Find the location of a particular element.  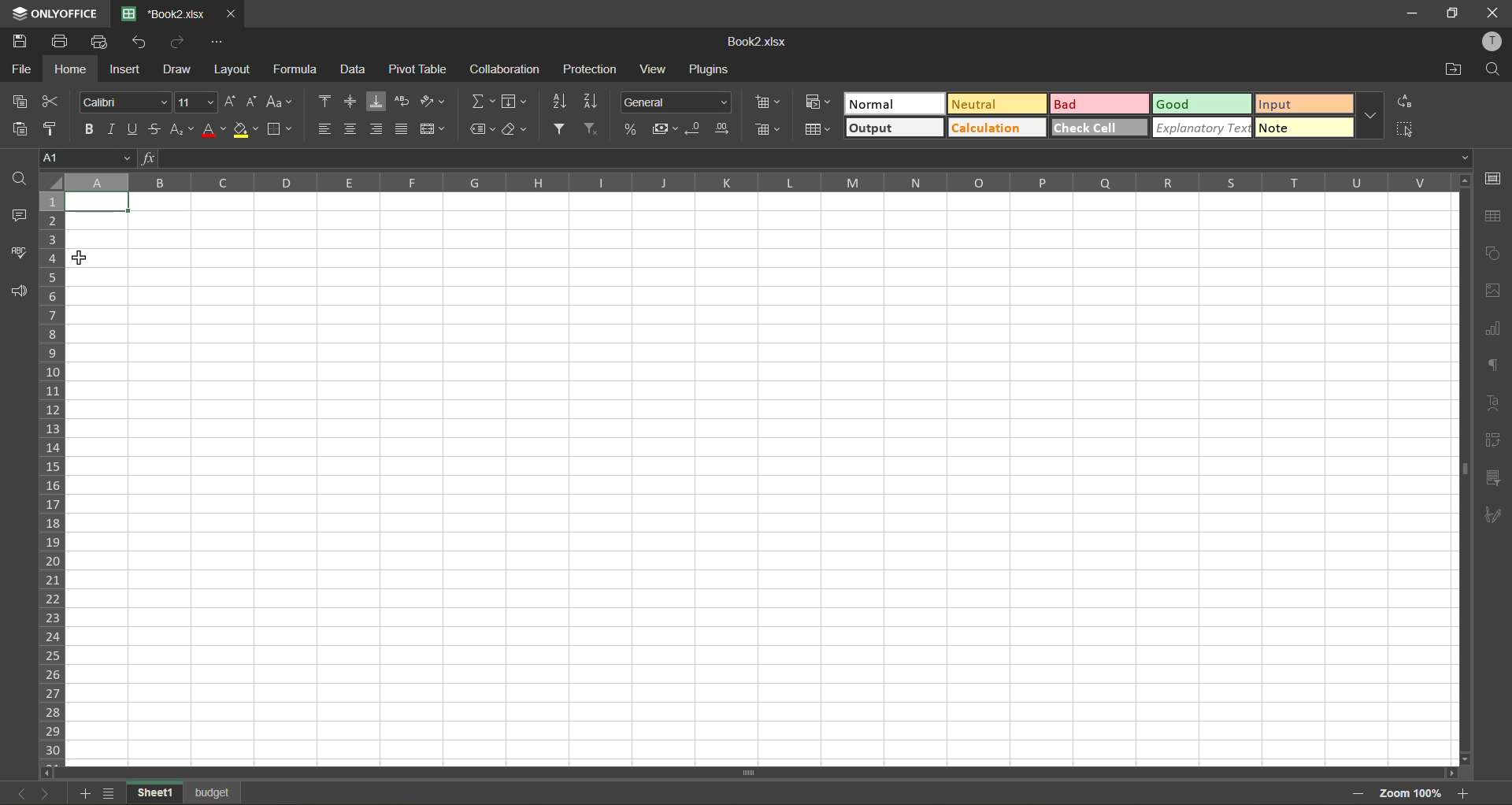

paste is located at coordinates (18, 128).